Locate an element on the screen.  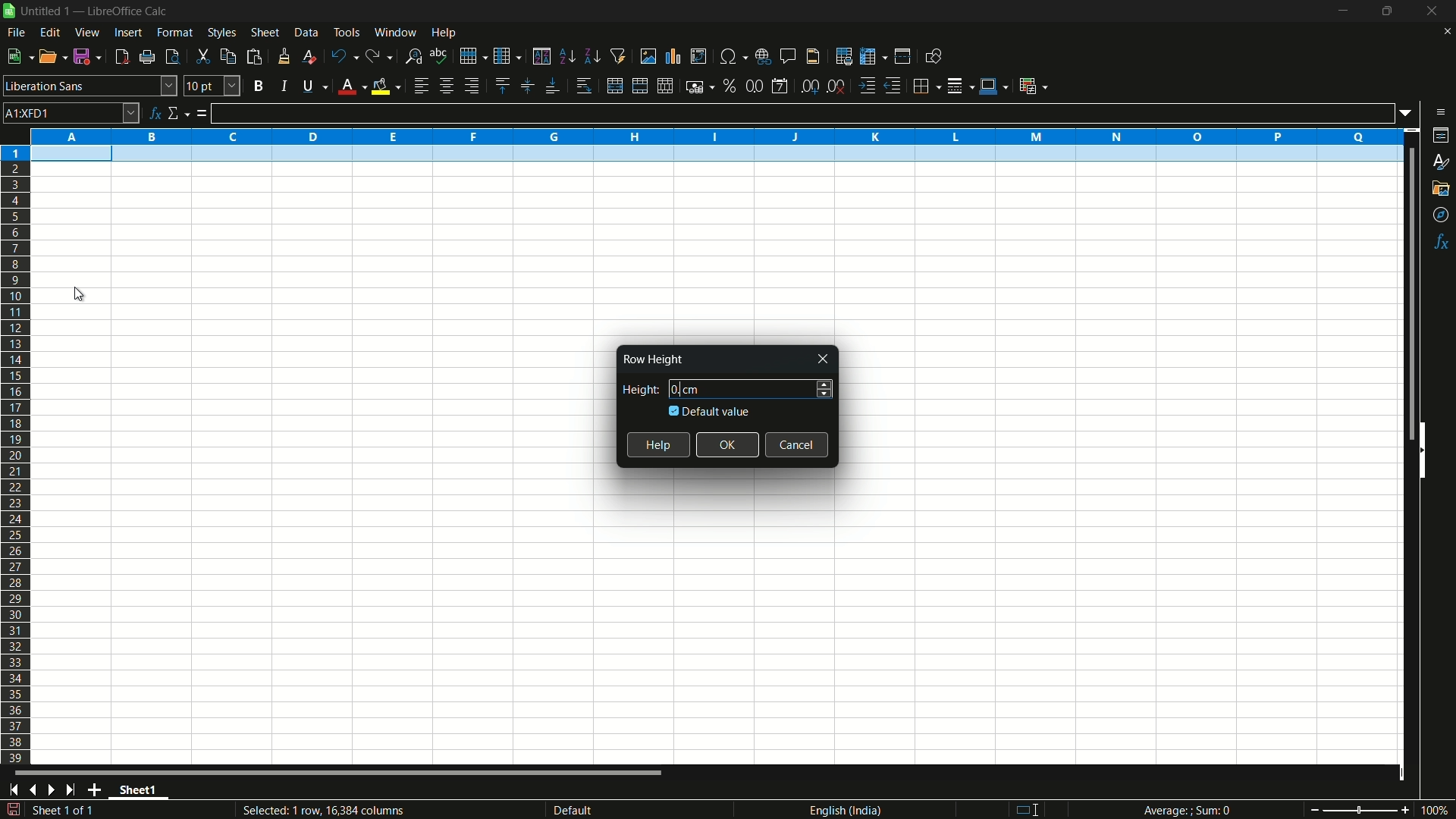
Row Height is located at coordinates (651, 359).